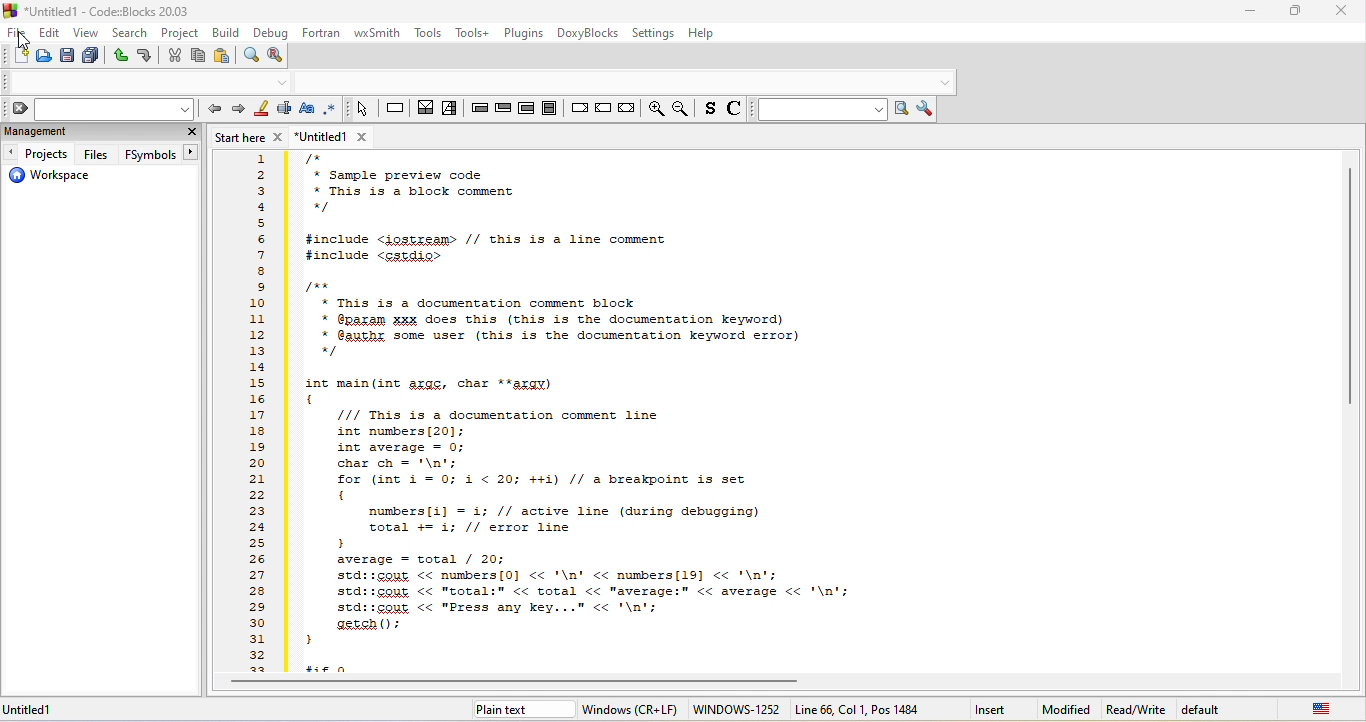 This screenshot has width=1366, height=722. I want to click on next, so click(237, 112).